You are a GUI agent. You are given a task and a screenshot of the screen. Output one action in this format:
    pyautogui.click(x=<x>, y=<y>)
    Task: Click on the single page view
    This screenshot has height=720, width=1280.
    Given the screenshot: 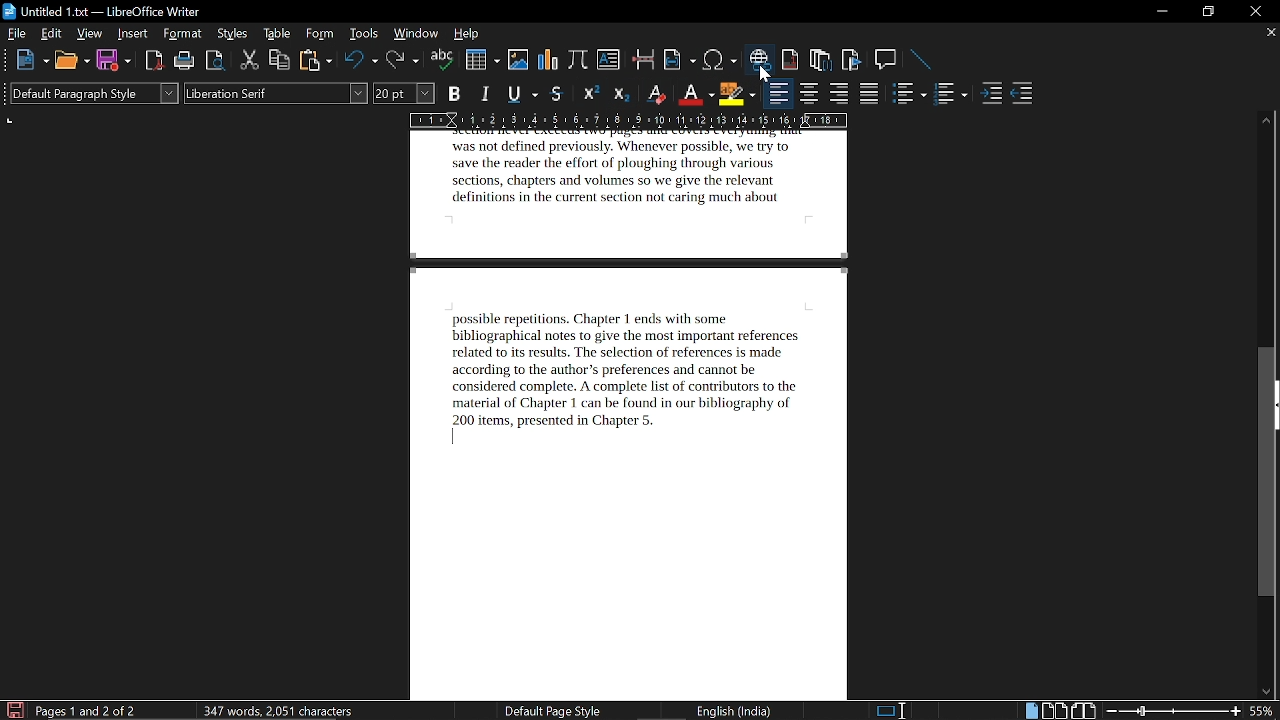 What is the action you would take?
    pyautogui.click(x=1030, y=710)
    